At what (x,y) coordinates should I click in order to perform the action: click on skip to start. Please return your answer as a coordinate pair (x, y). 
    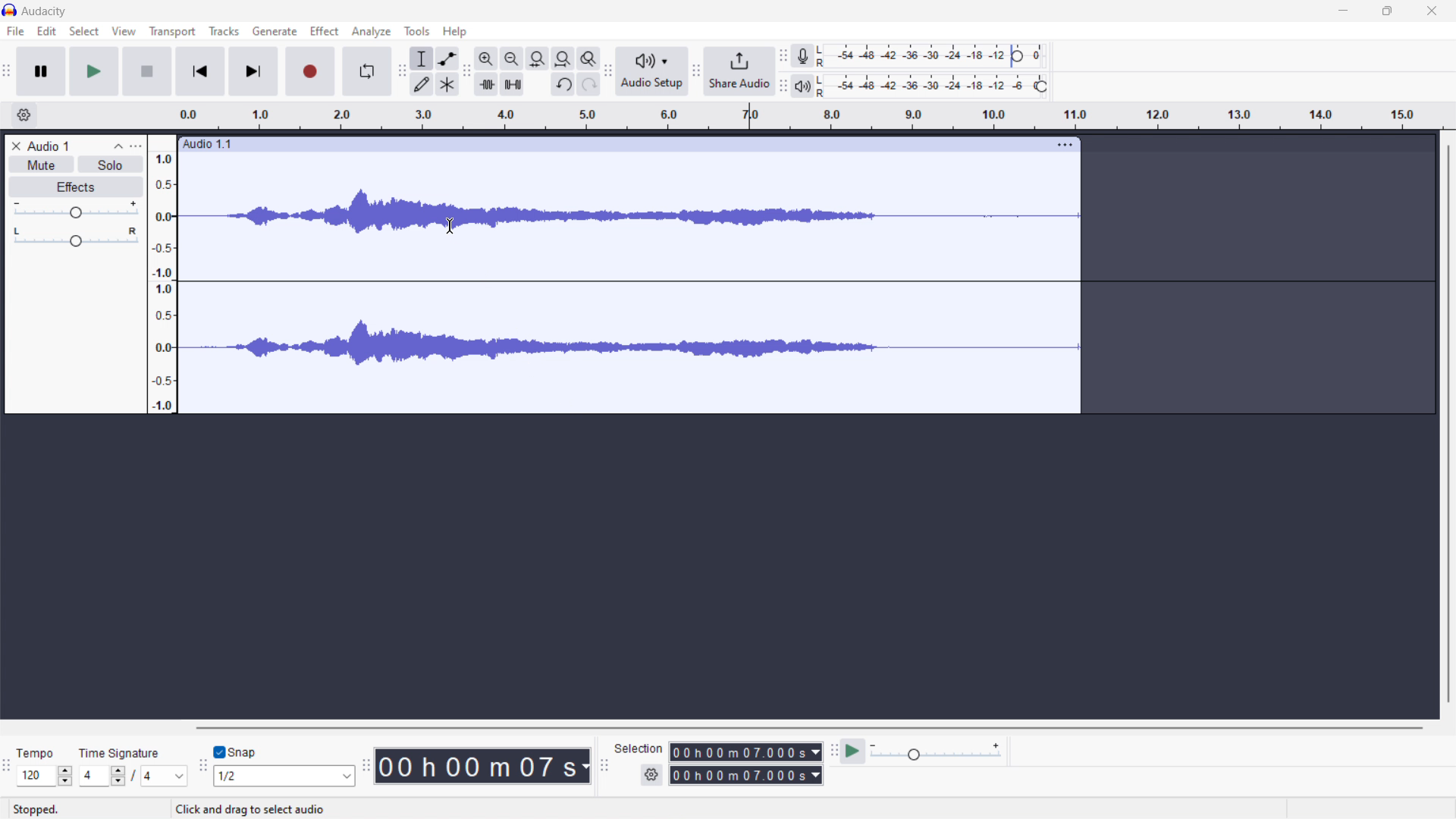
    Looking at the image, I should click on (199, 72).